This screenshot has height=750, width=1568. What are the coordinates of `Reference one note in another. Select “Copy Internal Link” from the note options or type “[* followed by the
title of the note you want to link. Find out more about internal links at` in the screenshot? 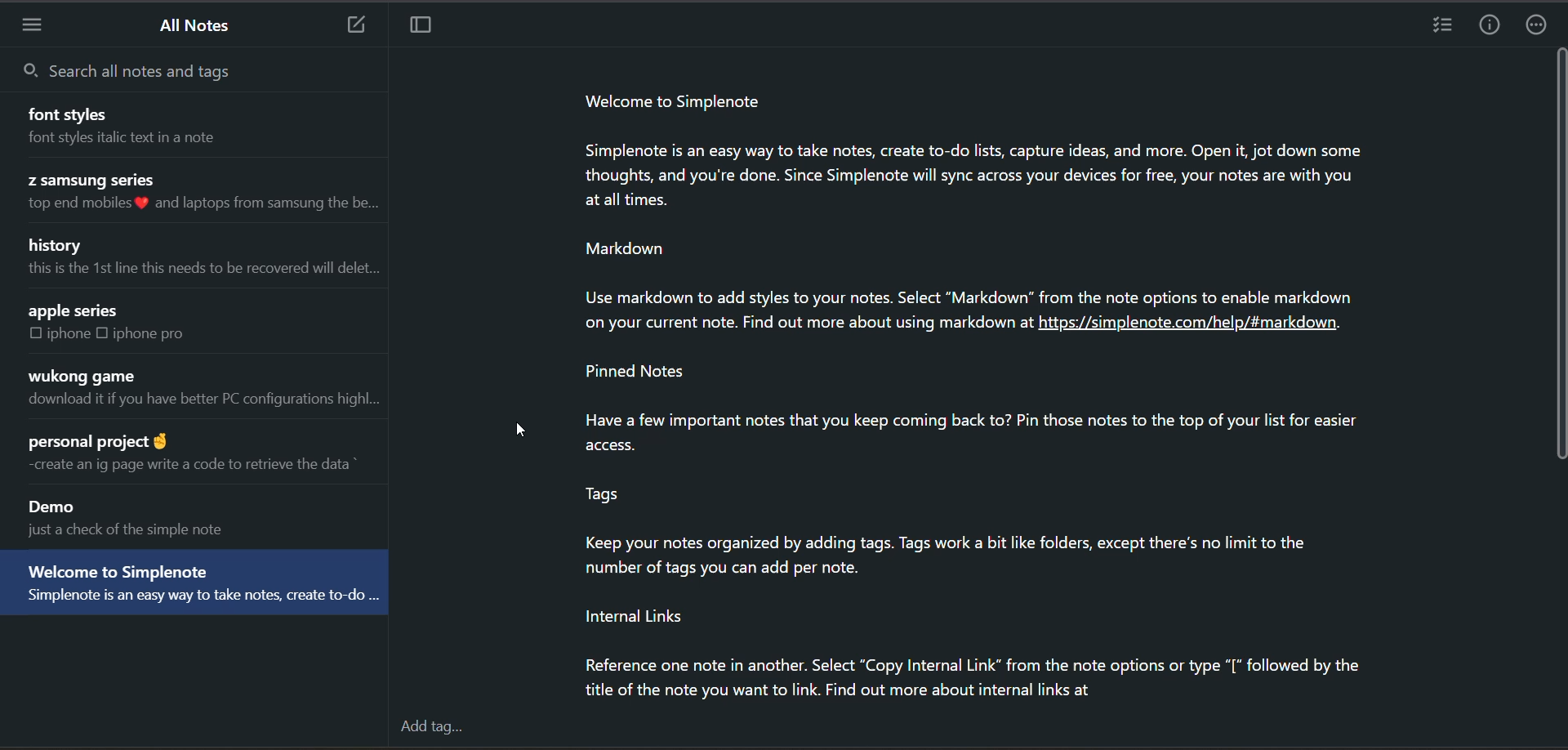 It's located at (963, 681).